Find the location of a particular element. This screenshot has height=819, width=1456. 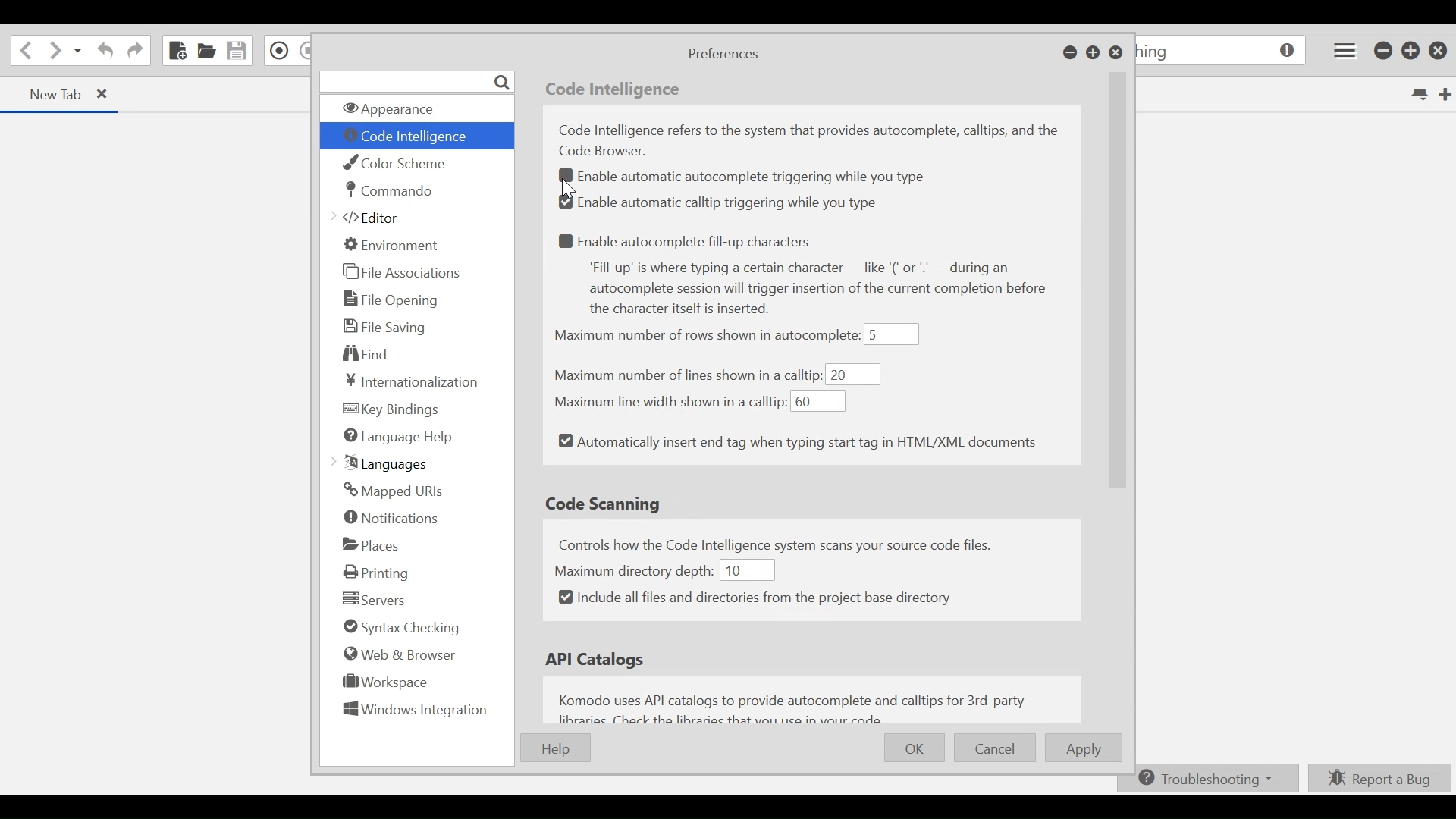

Go back one location is located at coordinates (24, 51).